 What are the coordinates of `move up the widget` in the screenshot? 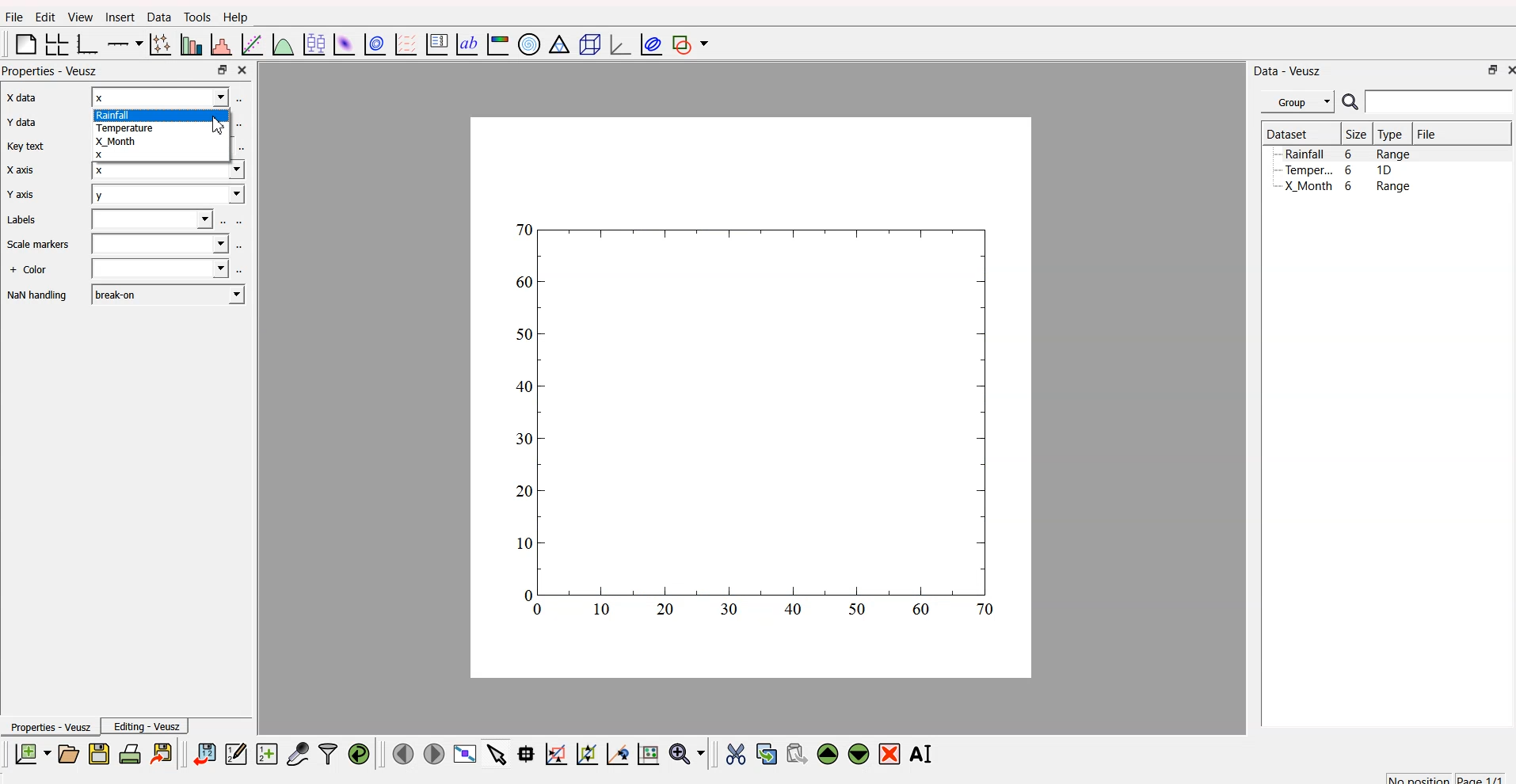 It's located at (827, 754).